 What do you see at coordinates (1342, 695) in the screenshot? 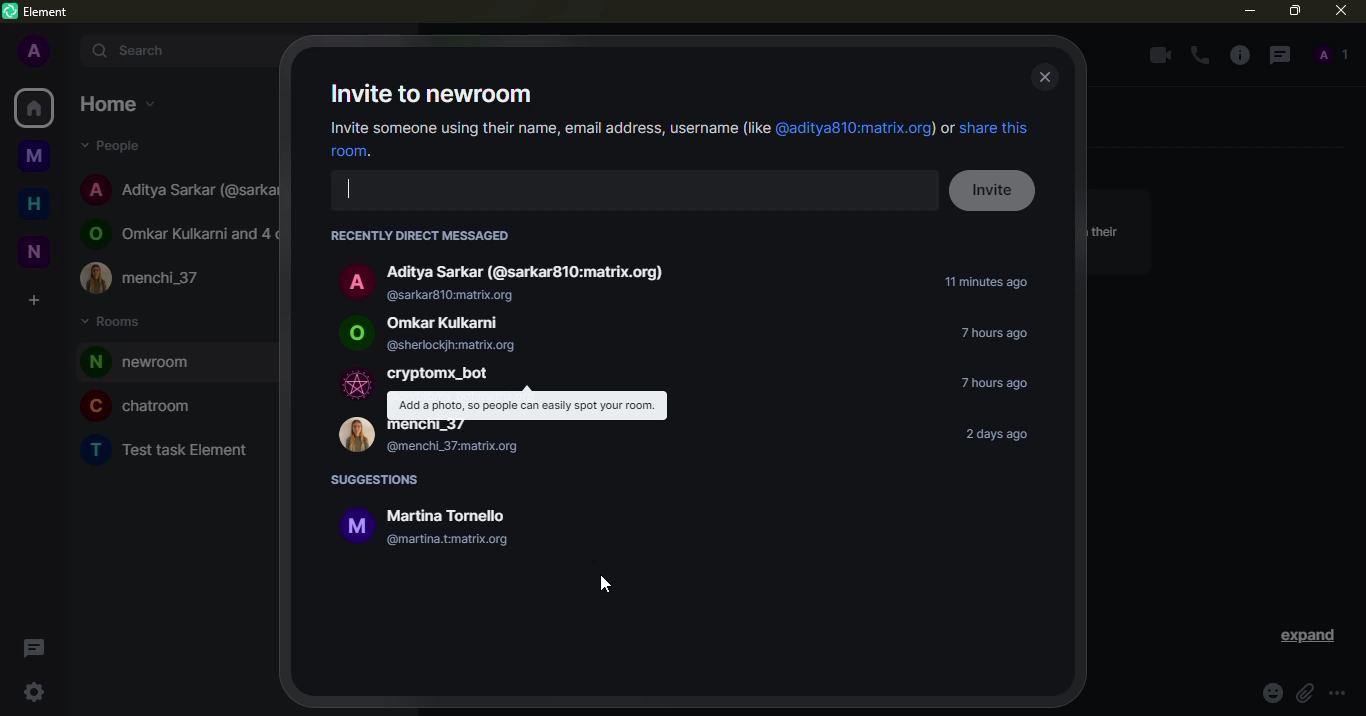
I see `more` at bounding box center [1342, 695].